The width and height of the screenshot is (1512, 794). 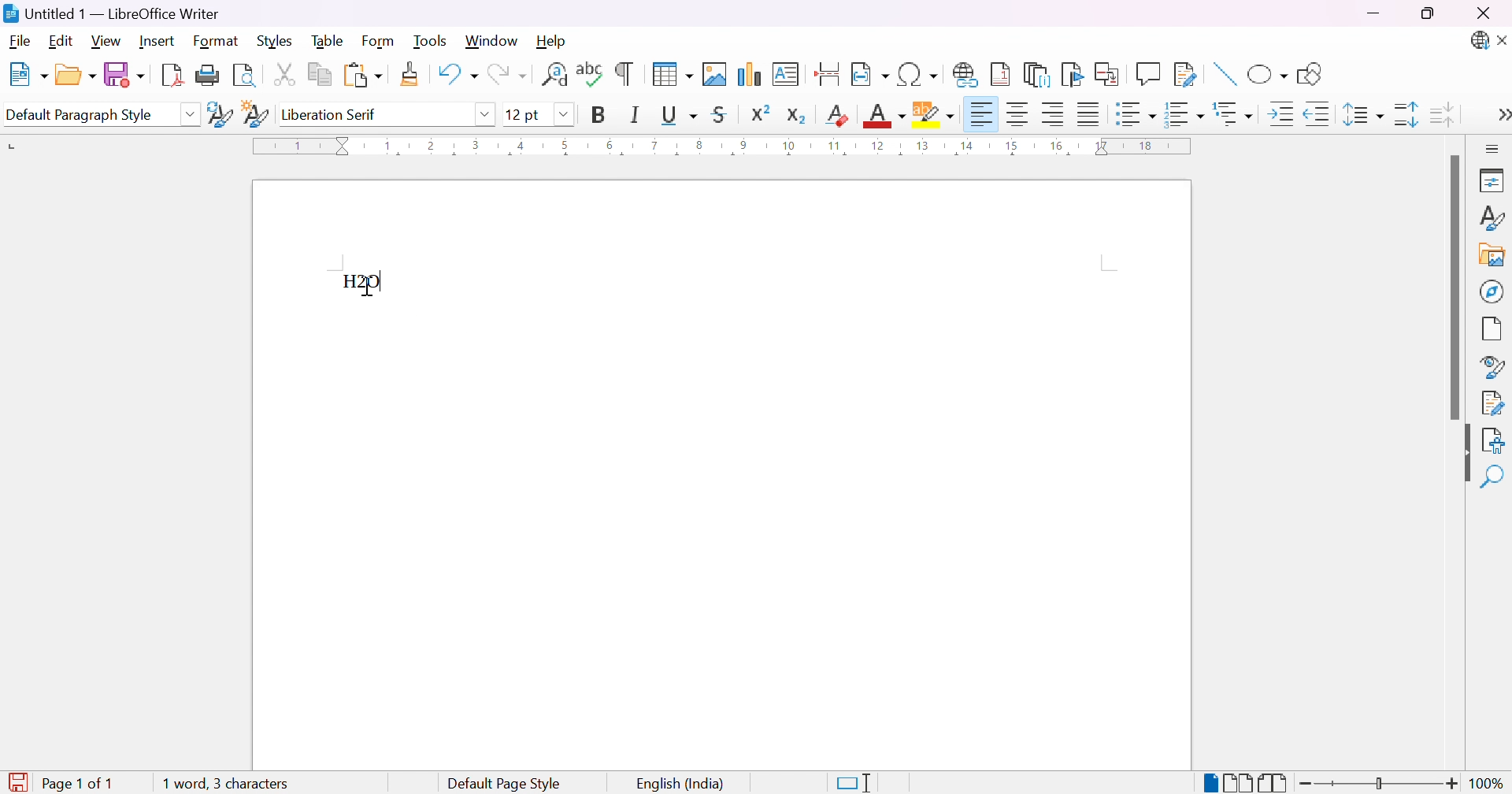 I want to click on Drop down, so click(x=485, y=113).